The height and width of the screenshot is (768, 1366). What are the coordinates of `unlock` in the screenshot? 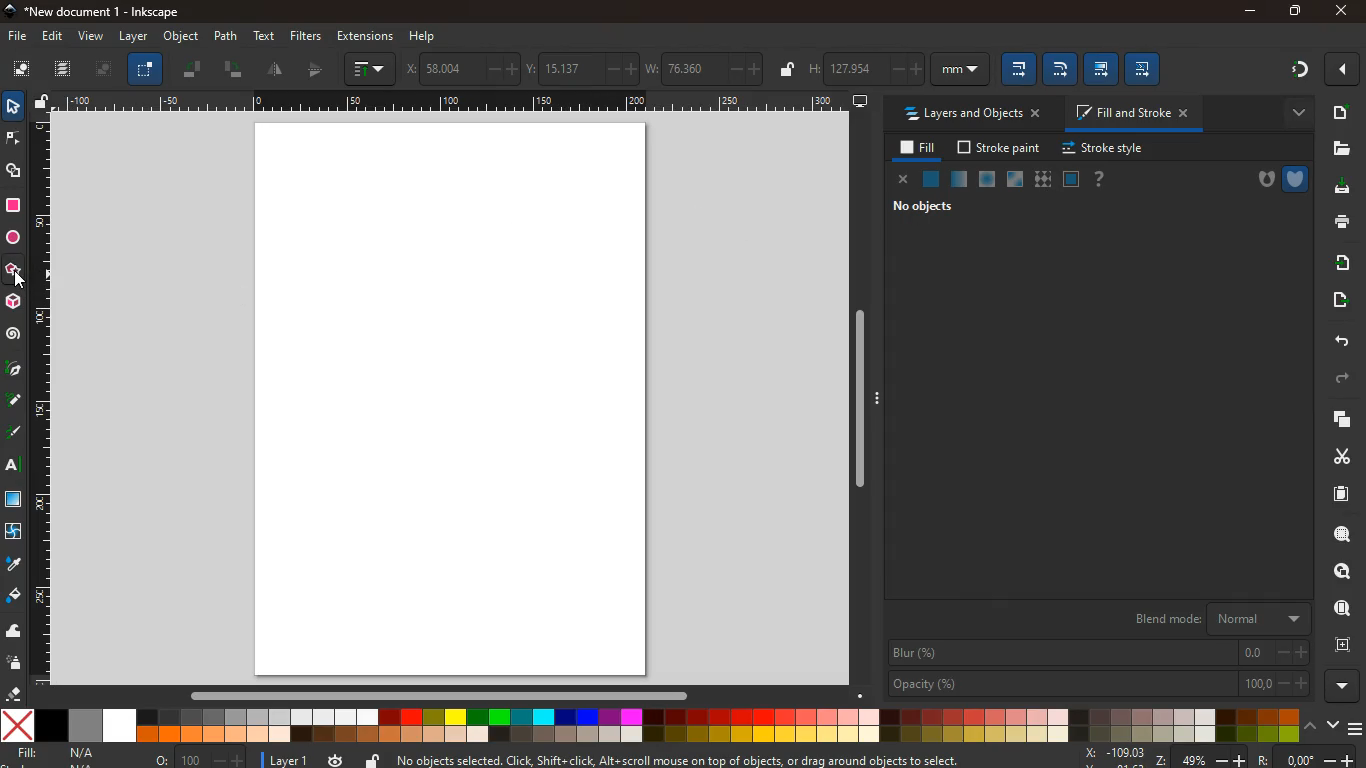 It's located at (372, 759).